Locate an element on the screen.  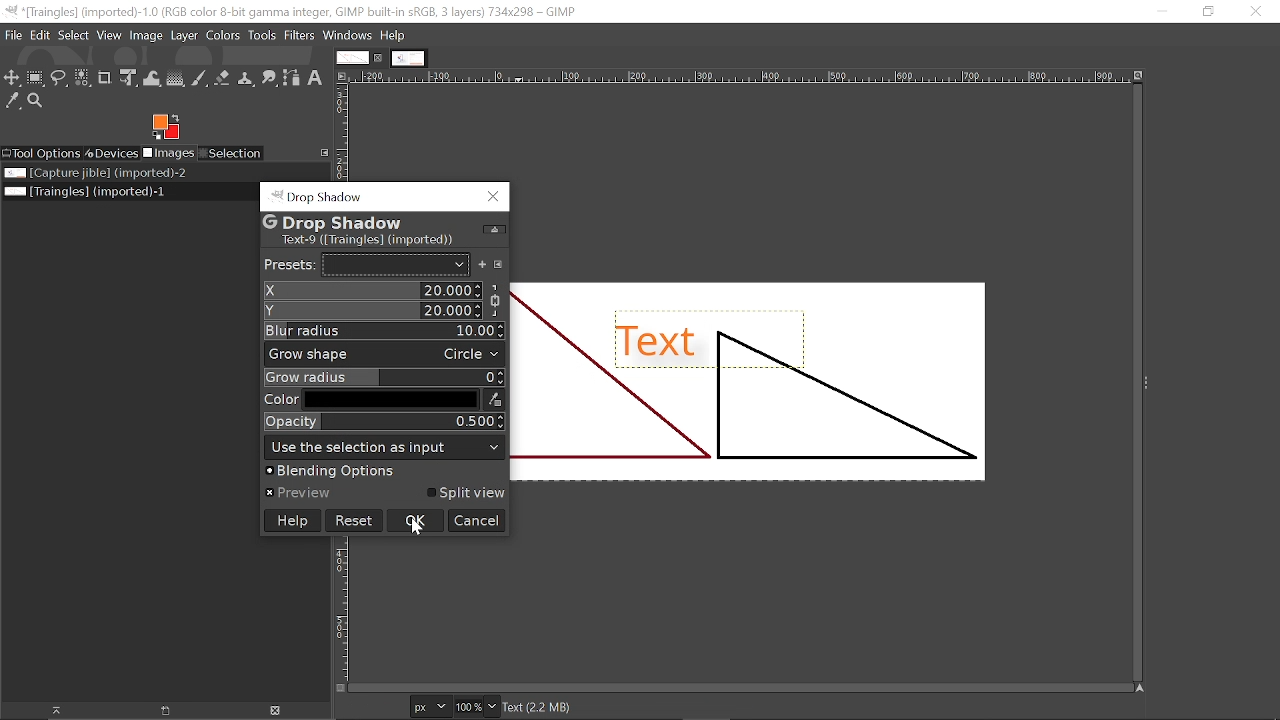
Help is located at coordinates (291, 520).